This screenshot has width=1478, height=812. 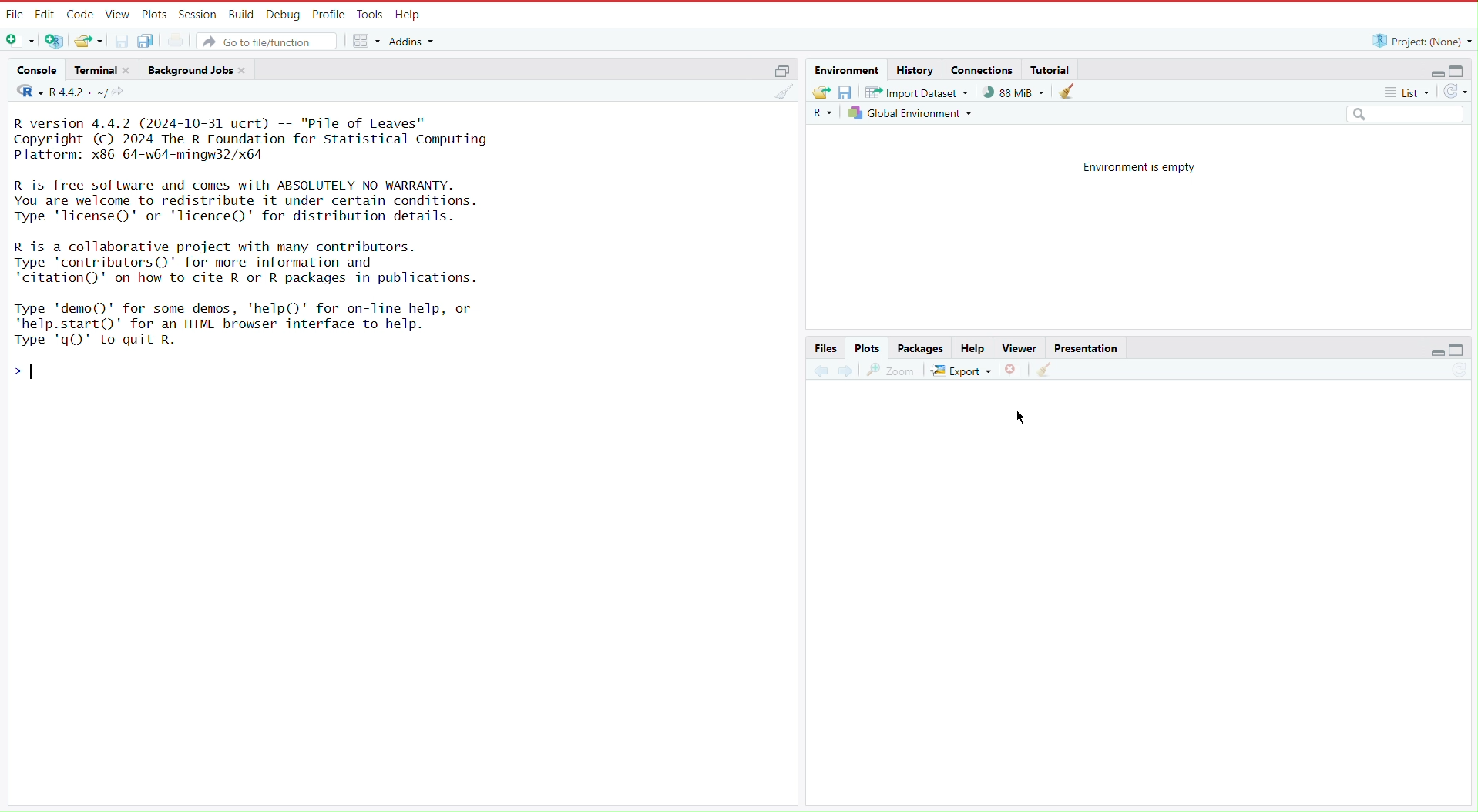 I want to click on R version 4.4.2 (2024-10-51 ucrt) -- "Pile of Leaves"
Copyright (C) 2024 The R Foundation for Statistical Computing
Platform: x86_64-w64-mingw32/x64

R is free software and comes with ABSOLUTELY NO WARRANTY.
You are welcome to redistribute it under certain conditions.
Type 'Ticense()' or 'licence(D' for distribution details.

R is a collaborative project with many contributors.

Type 'contributors()' for more information and

‘citation()' on how to cite R or R packages in publications.
Type 'demo()' for some demos, 'help()' for on-line help, or
'help.start()' for an HTML browser interface to help.

Type 'qQ)' to quit R., so click(x=277, y=233).